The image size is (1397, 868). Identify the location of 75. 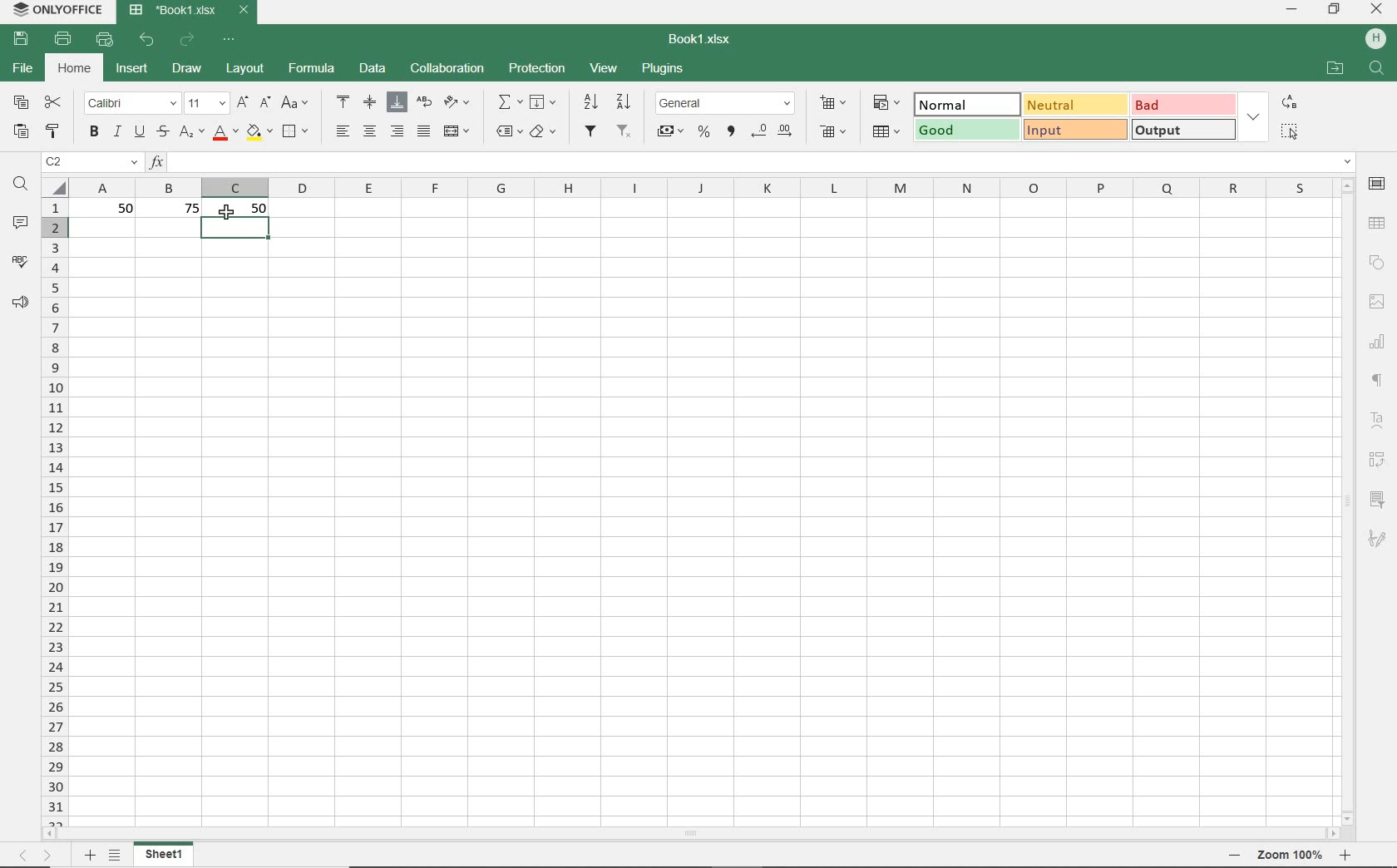
(185, 208).